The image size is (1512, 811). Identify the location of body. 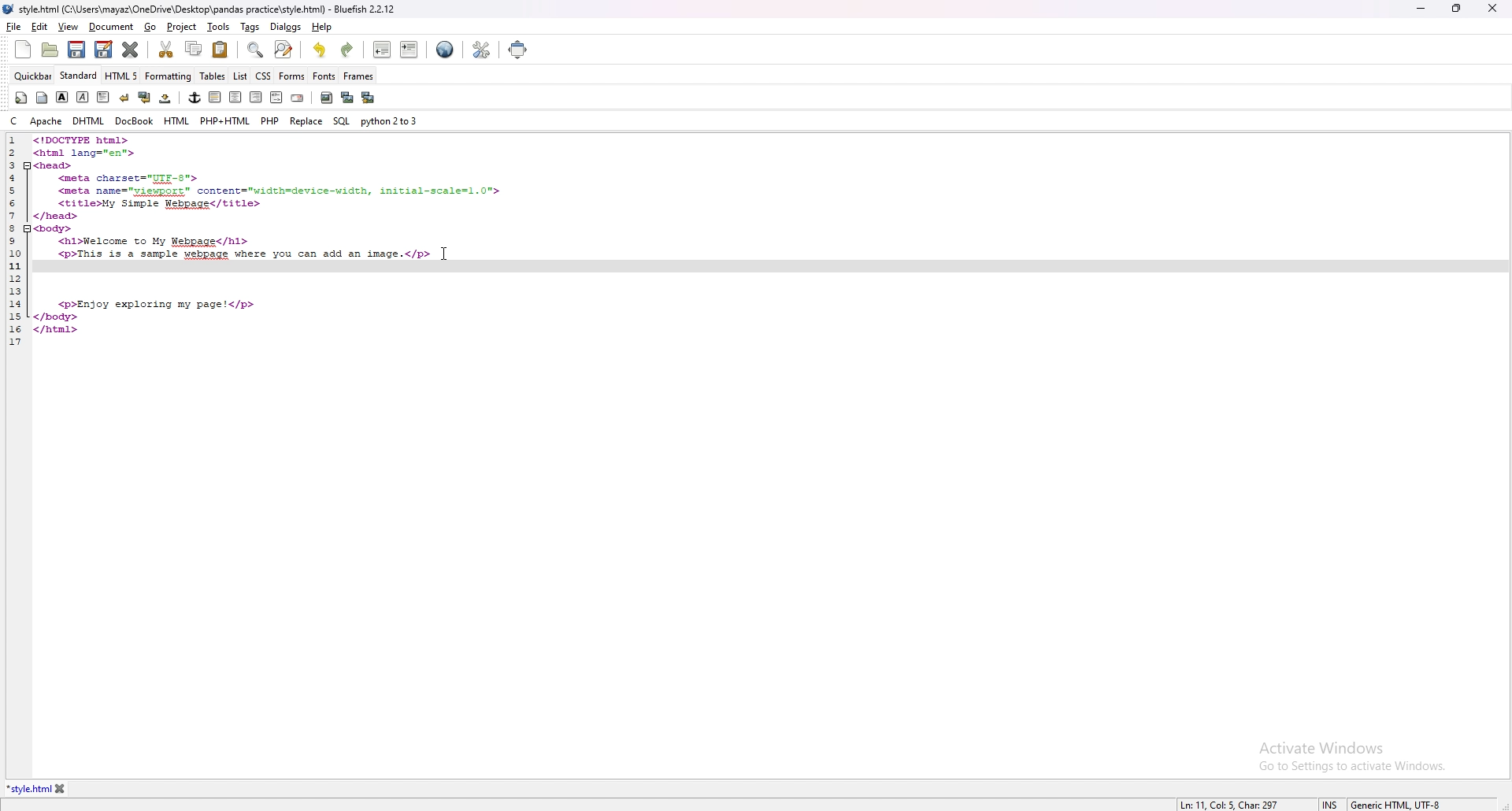
(42, 98).